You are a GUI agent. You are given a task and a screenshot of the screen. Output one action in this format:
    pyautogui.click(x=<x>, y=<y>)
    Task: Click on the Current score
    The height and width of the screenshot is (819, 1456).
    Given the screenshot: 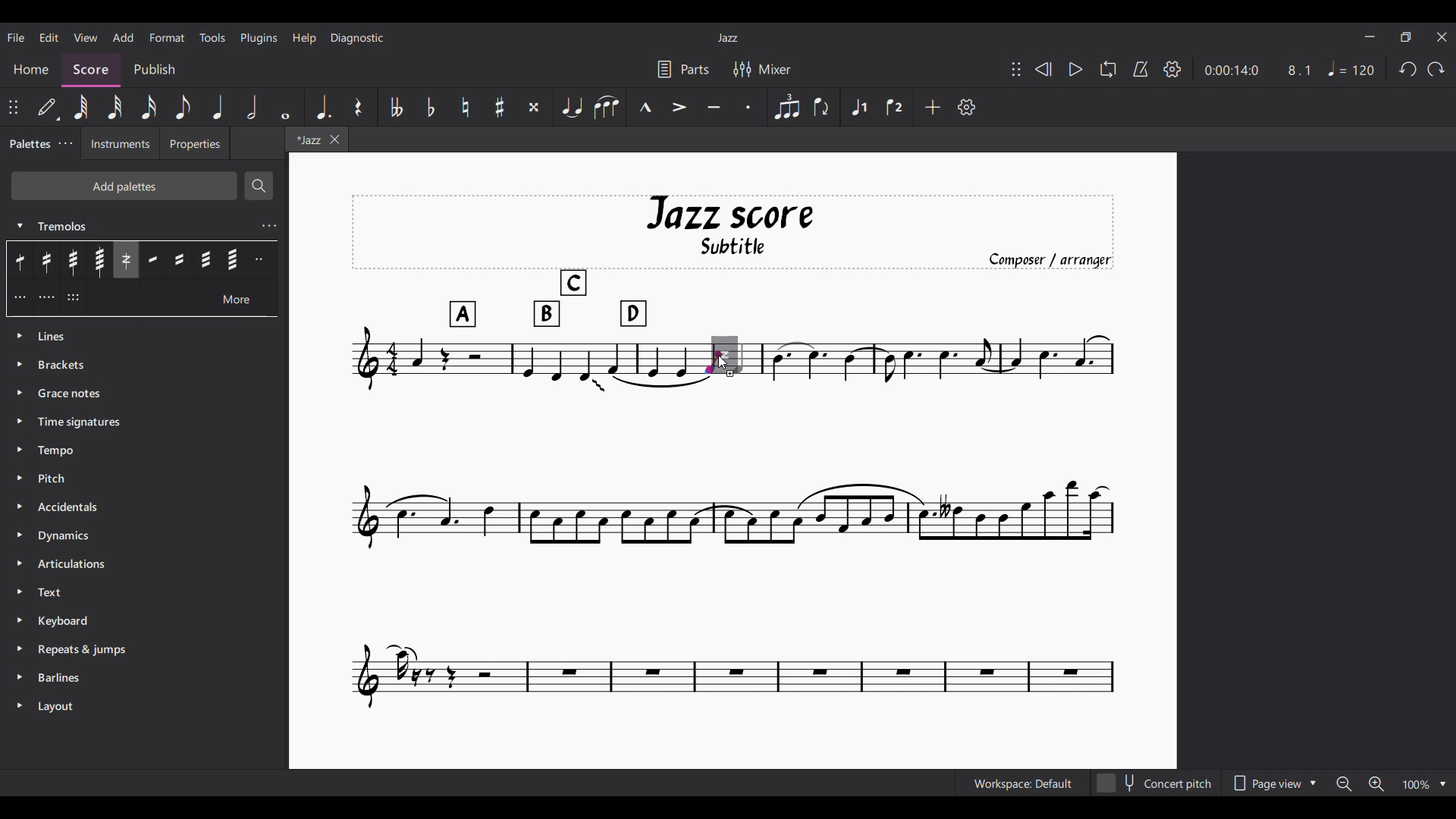 What is the action you would take?
    pyautogui.click(x=733, y=544)
    